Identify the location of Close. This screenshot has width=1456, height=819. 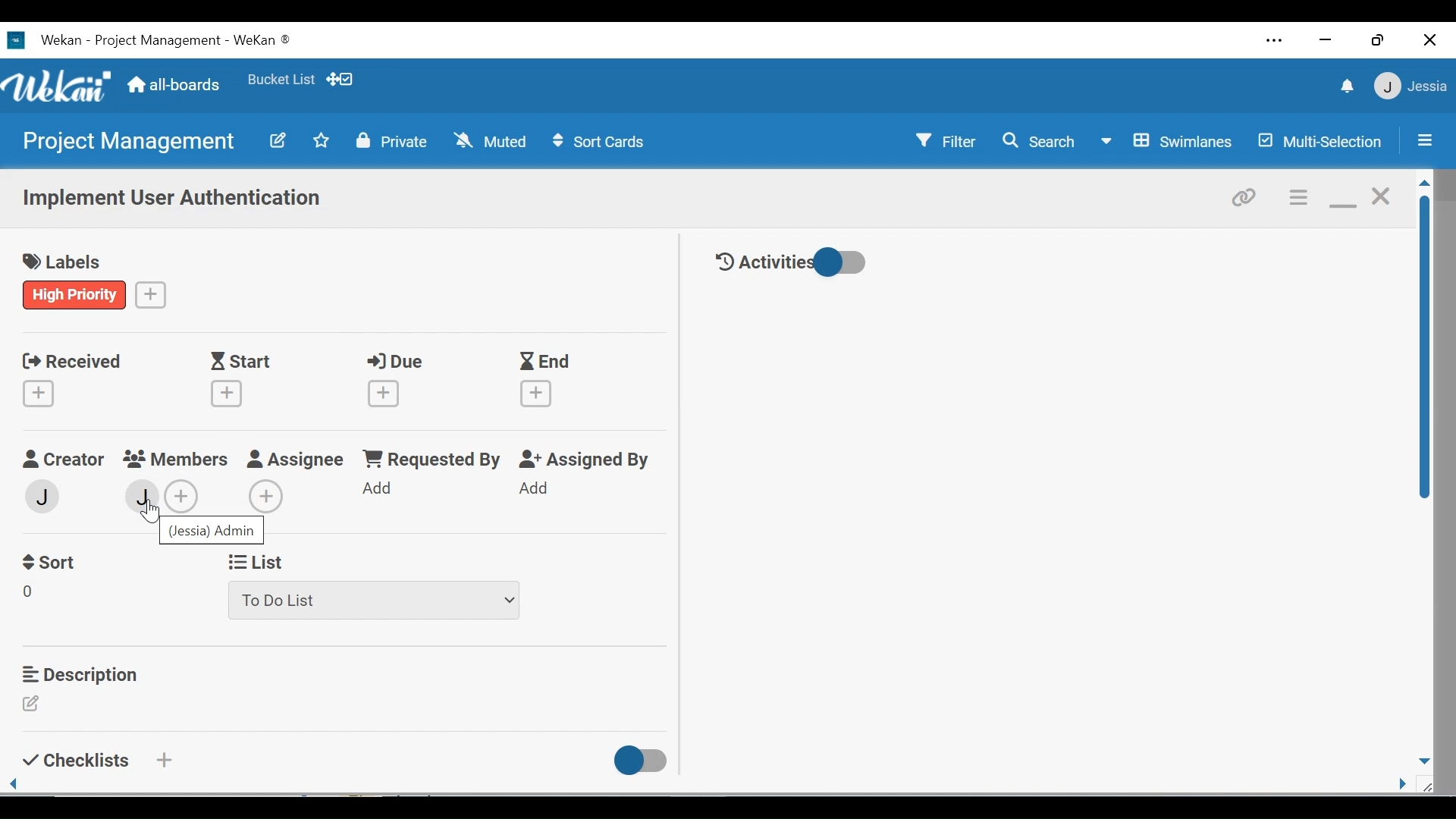
(1428, 41).